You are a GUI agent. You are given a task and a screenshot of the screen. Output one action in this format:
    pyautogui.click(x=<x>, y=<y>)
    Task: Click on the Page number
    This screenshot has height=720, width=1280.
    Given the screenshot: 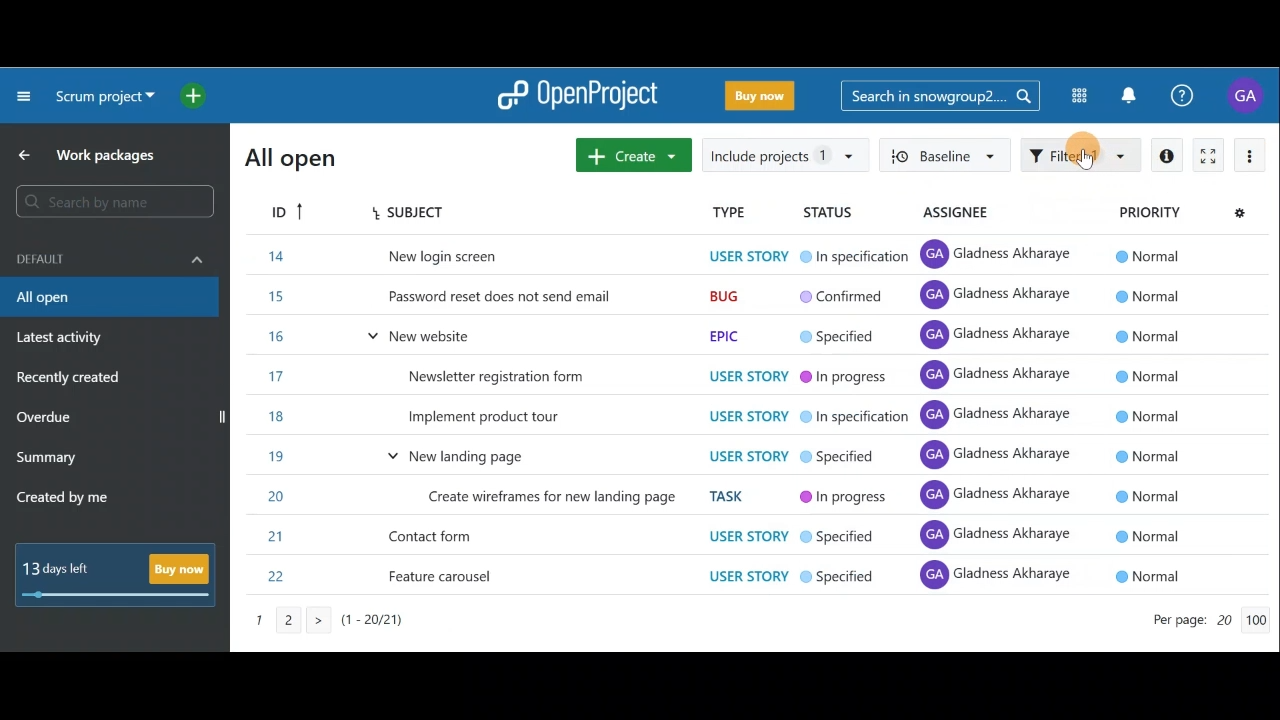 What is the action you would take?
    pyautogui.click(x=360, y=626)
    